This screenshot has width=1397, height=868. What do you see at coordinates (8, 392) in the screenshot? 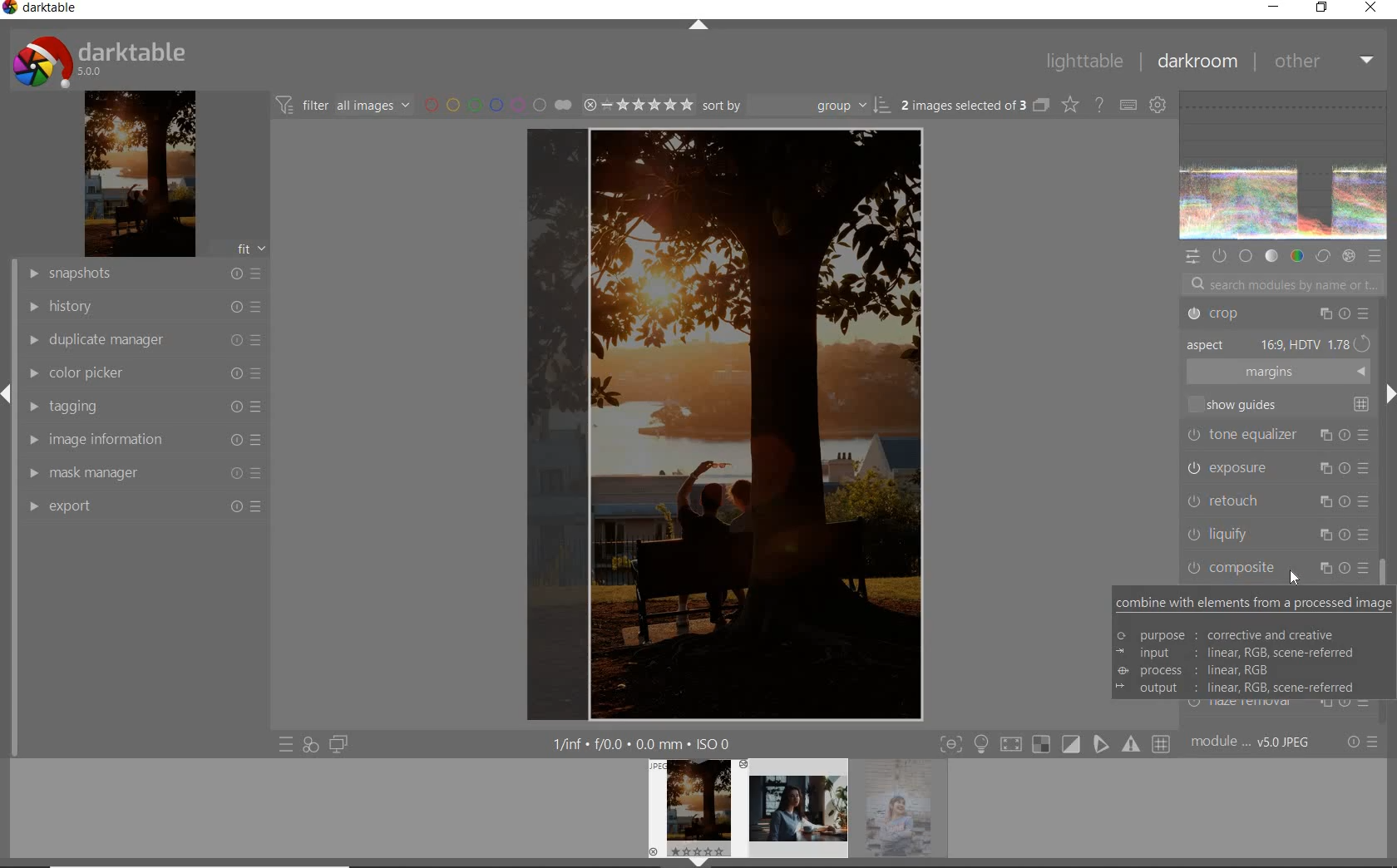
I see `expand/collapse` at bounding box center [8, 392].